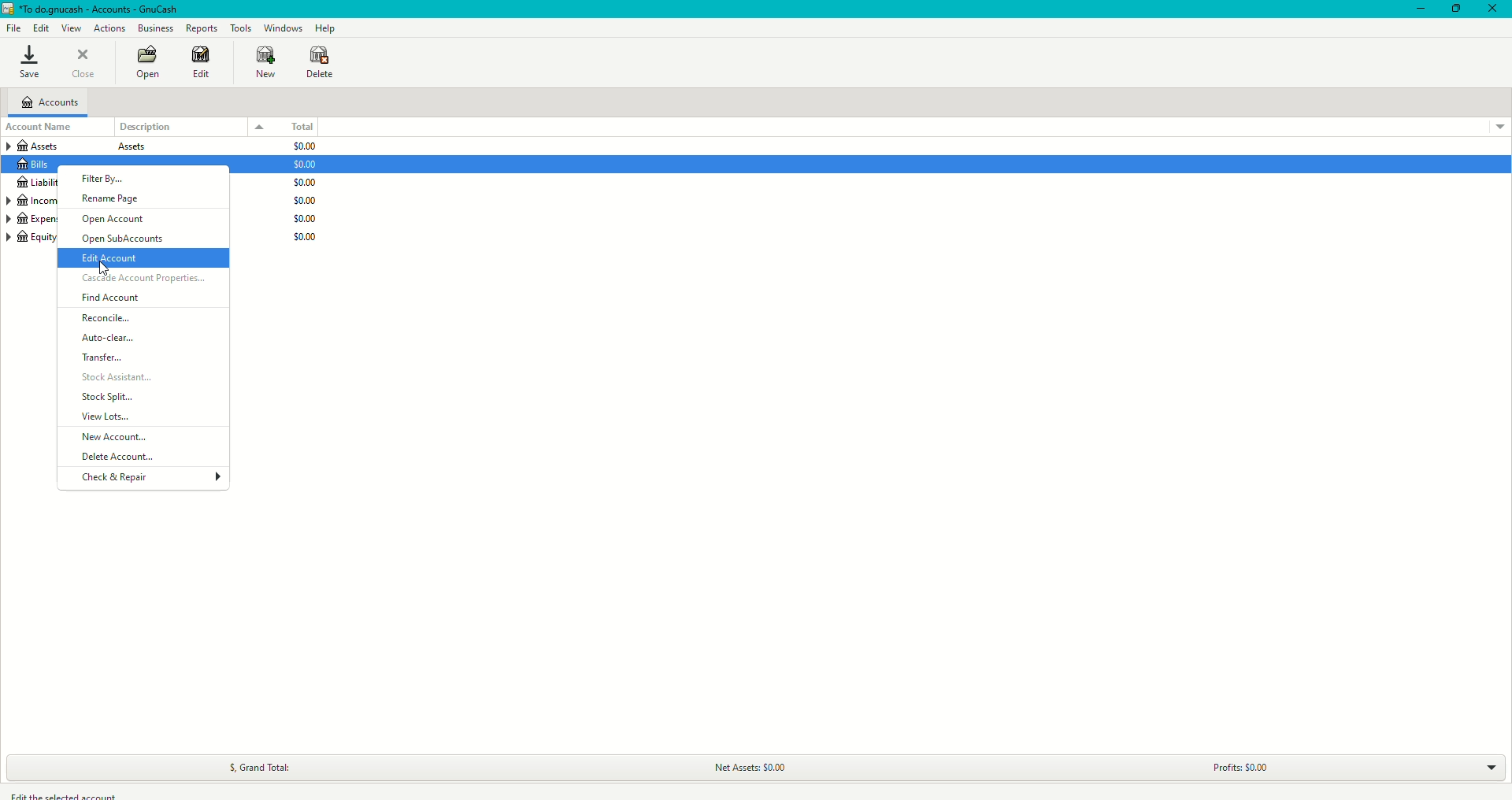  Describe the element at coordinates (1495, 124) in the screenshot. I see `Drop down menu` at that location.